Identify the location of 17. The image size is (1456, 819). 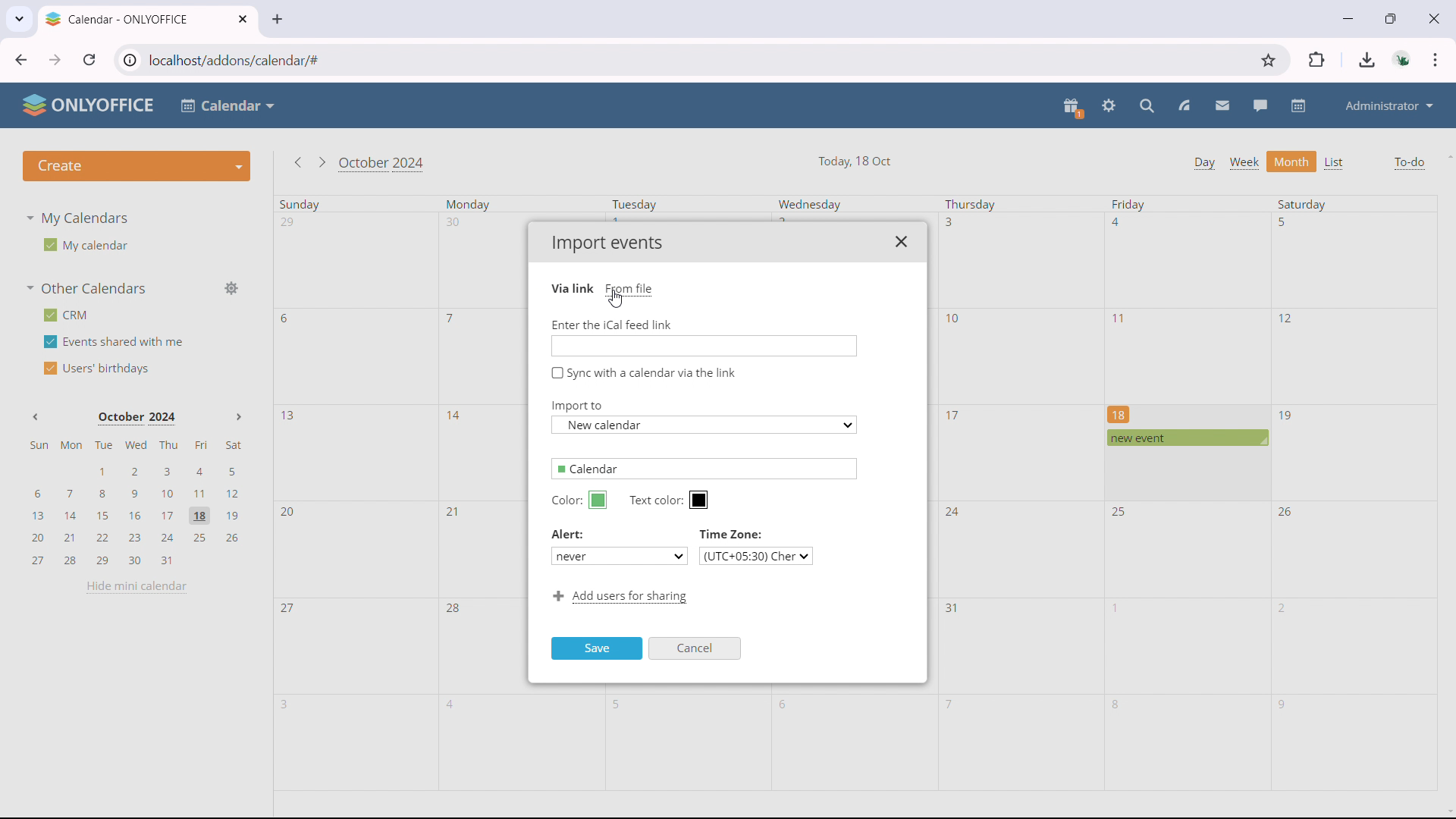
(953, 415).